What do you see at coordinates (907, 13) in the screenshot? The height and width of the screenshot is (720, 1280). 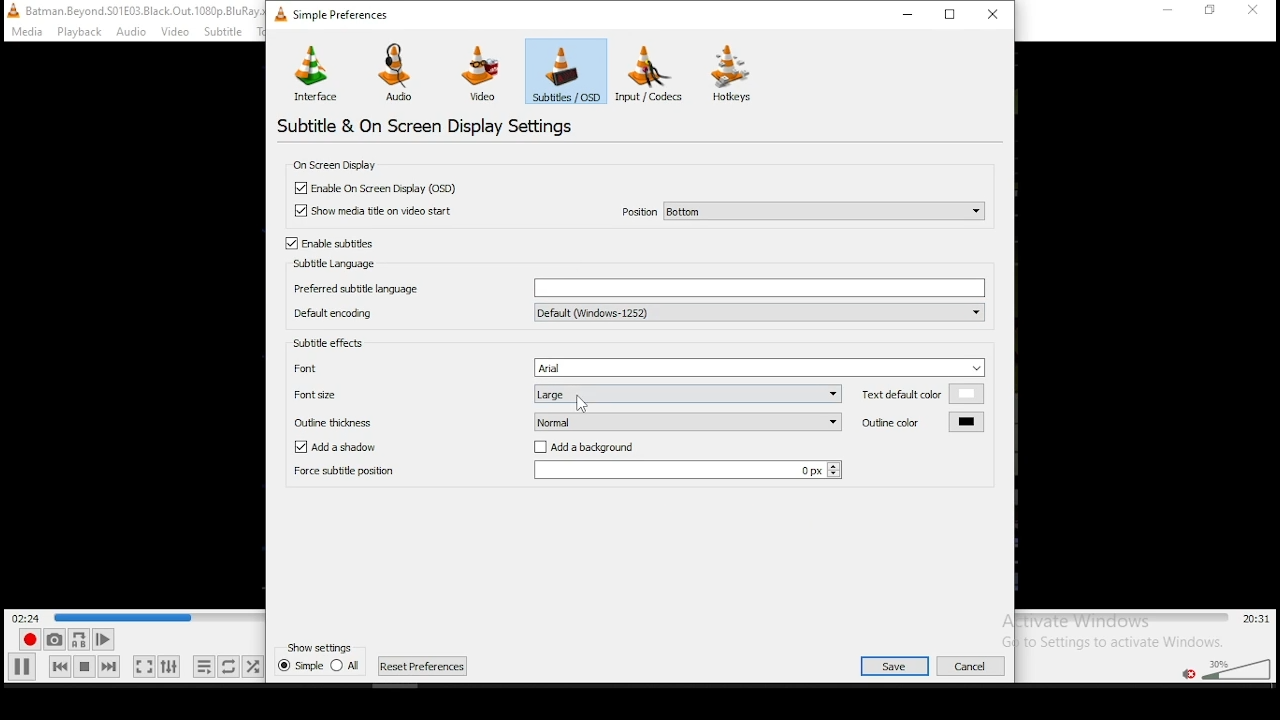 I see `minimize` at bounding box center [907, 13].